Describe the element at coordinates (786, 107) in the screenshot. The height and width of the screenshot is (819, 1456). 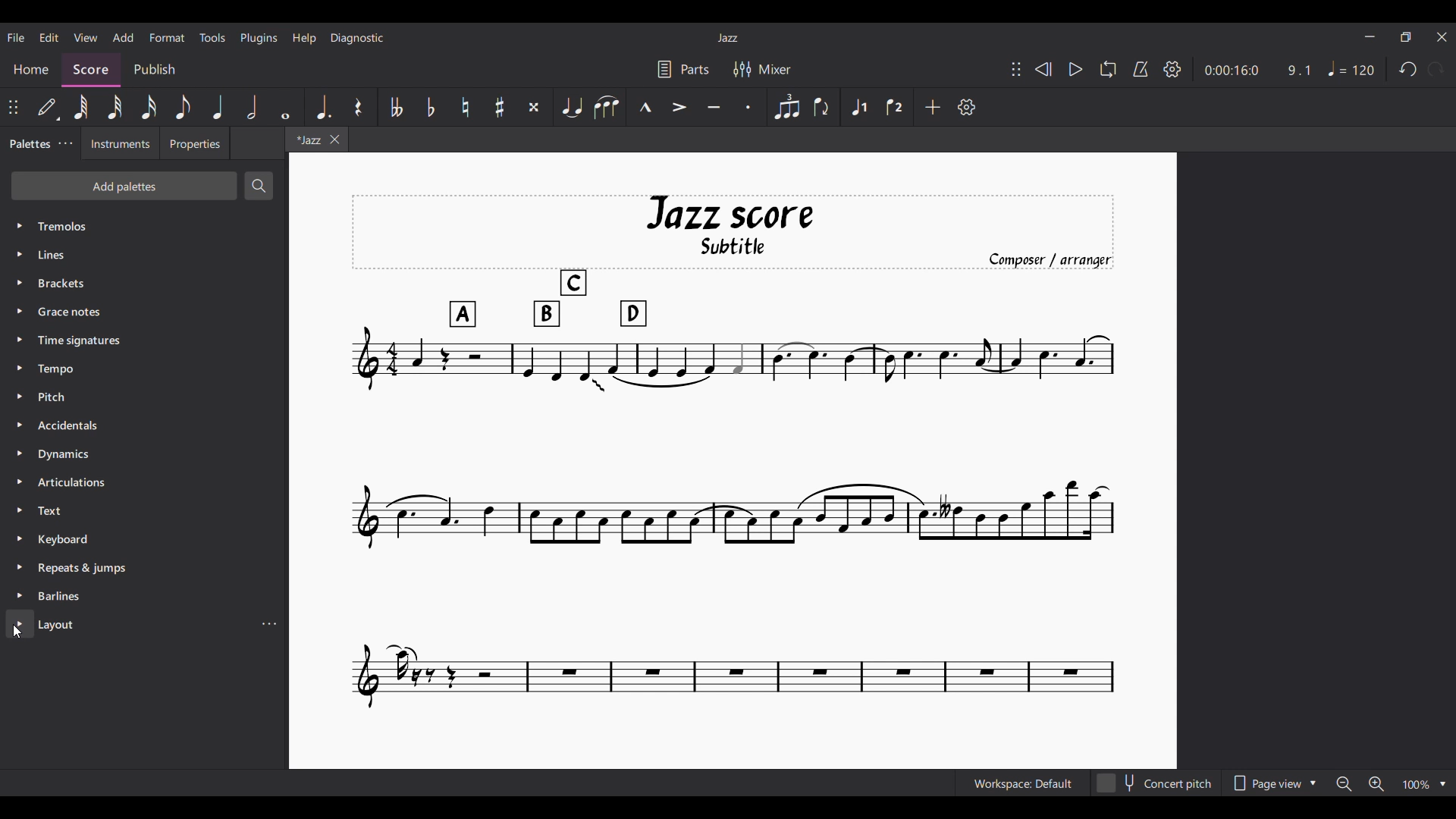
I see `Tuplet` at that location.